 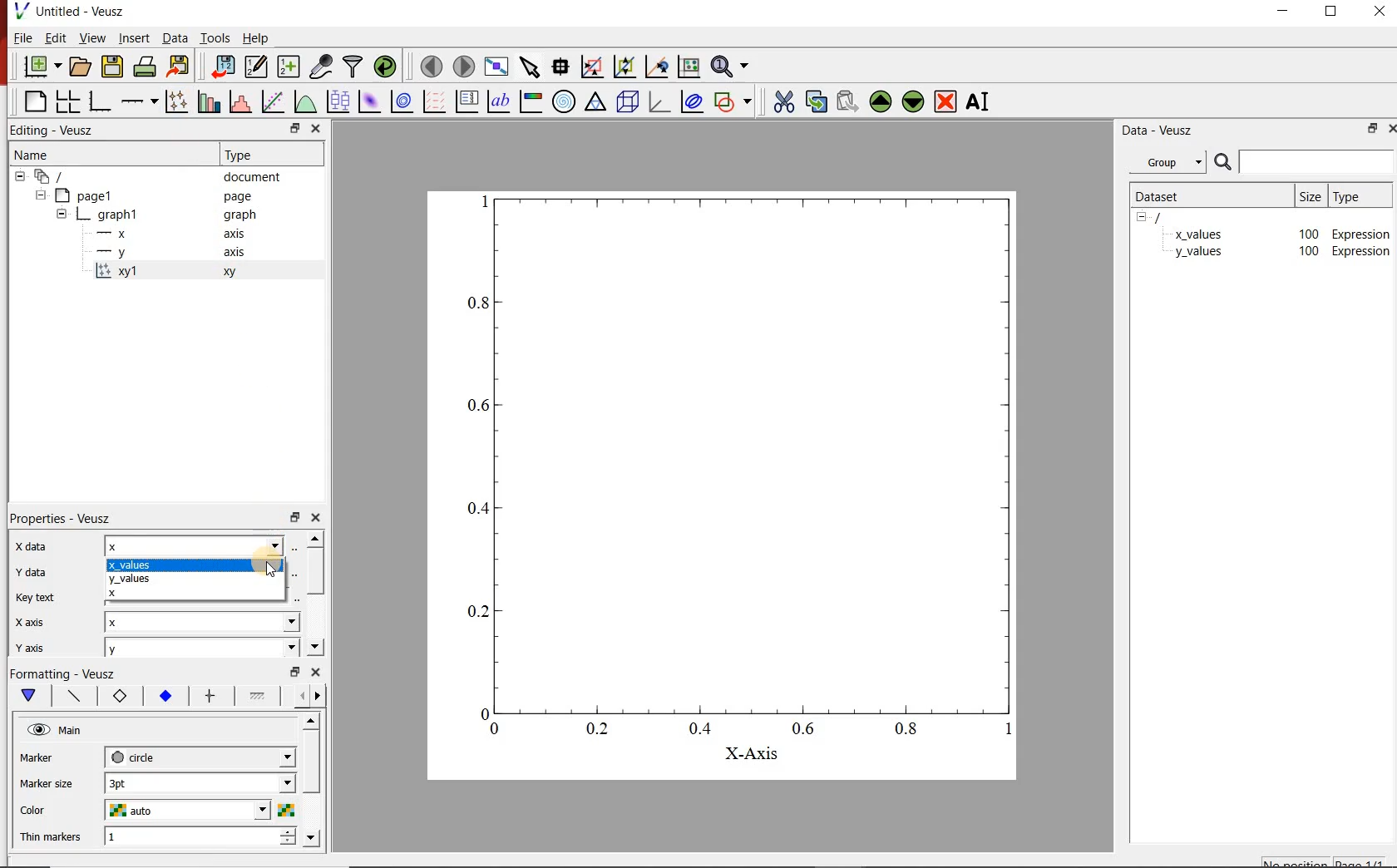 What do you see at coordinates (561, 66) in the screenshot?
I see `read data points on the graph` at bounding box center [561, 66].